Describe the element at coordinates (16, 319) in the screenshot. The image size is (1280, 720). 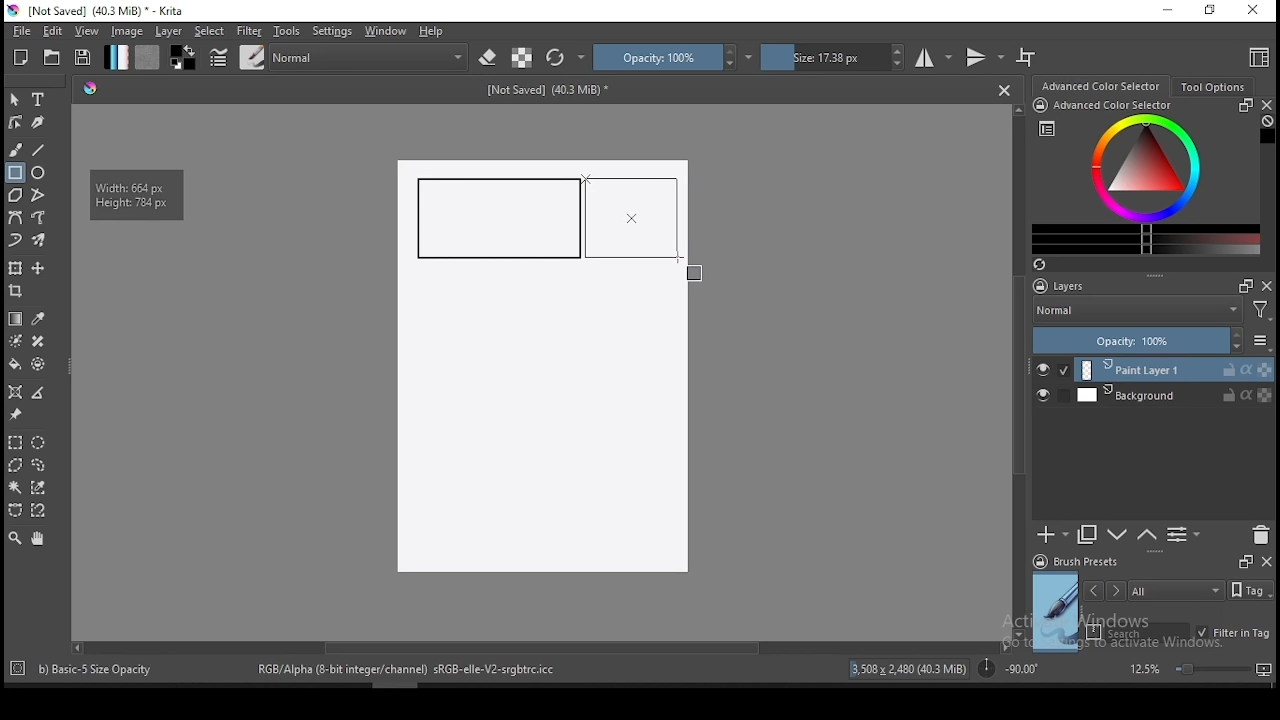
I see `gradient tool` at that location.